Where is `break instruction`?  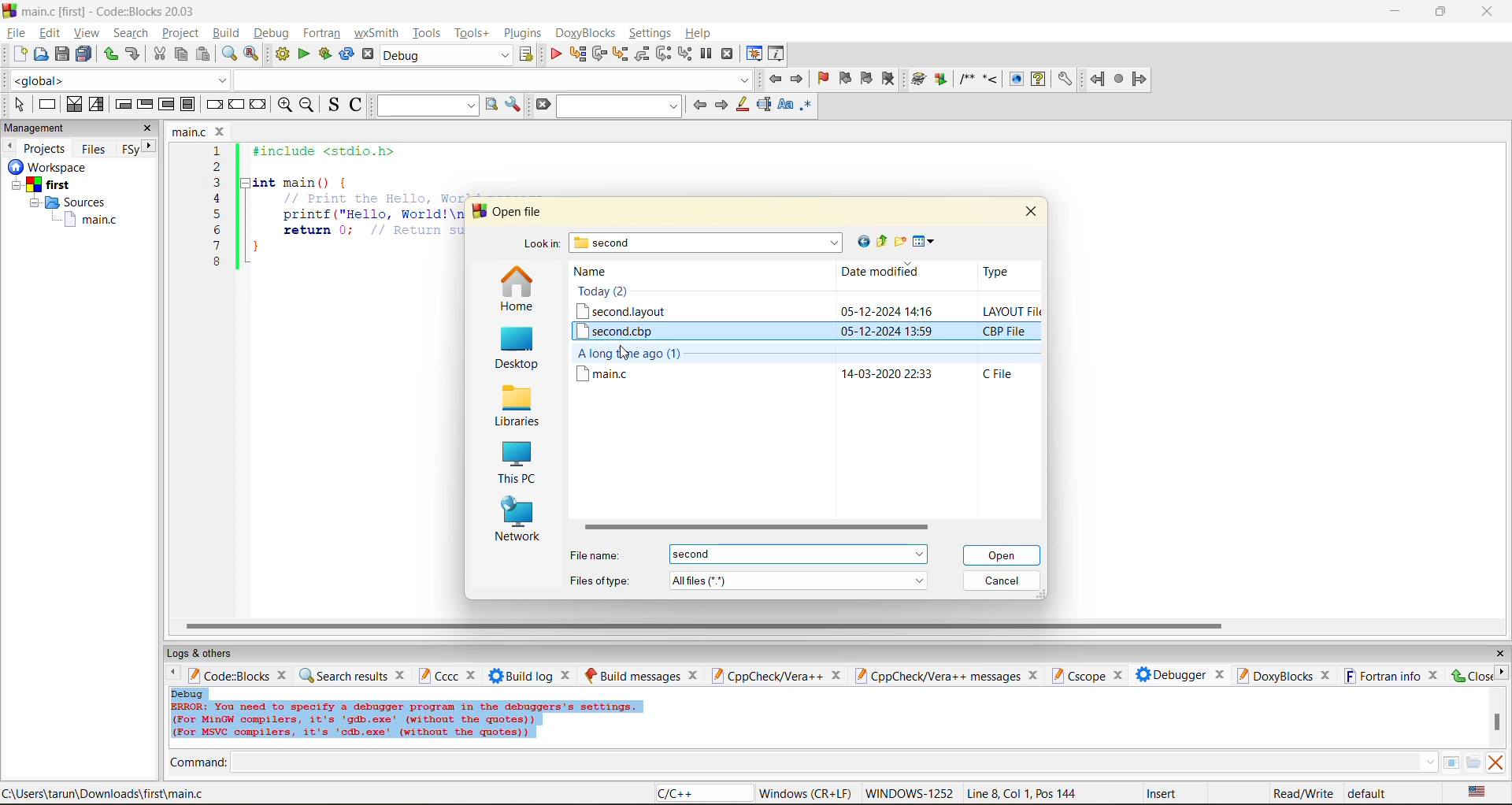 break instruction is located at coordinates (212, 104).